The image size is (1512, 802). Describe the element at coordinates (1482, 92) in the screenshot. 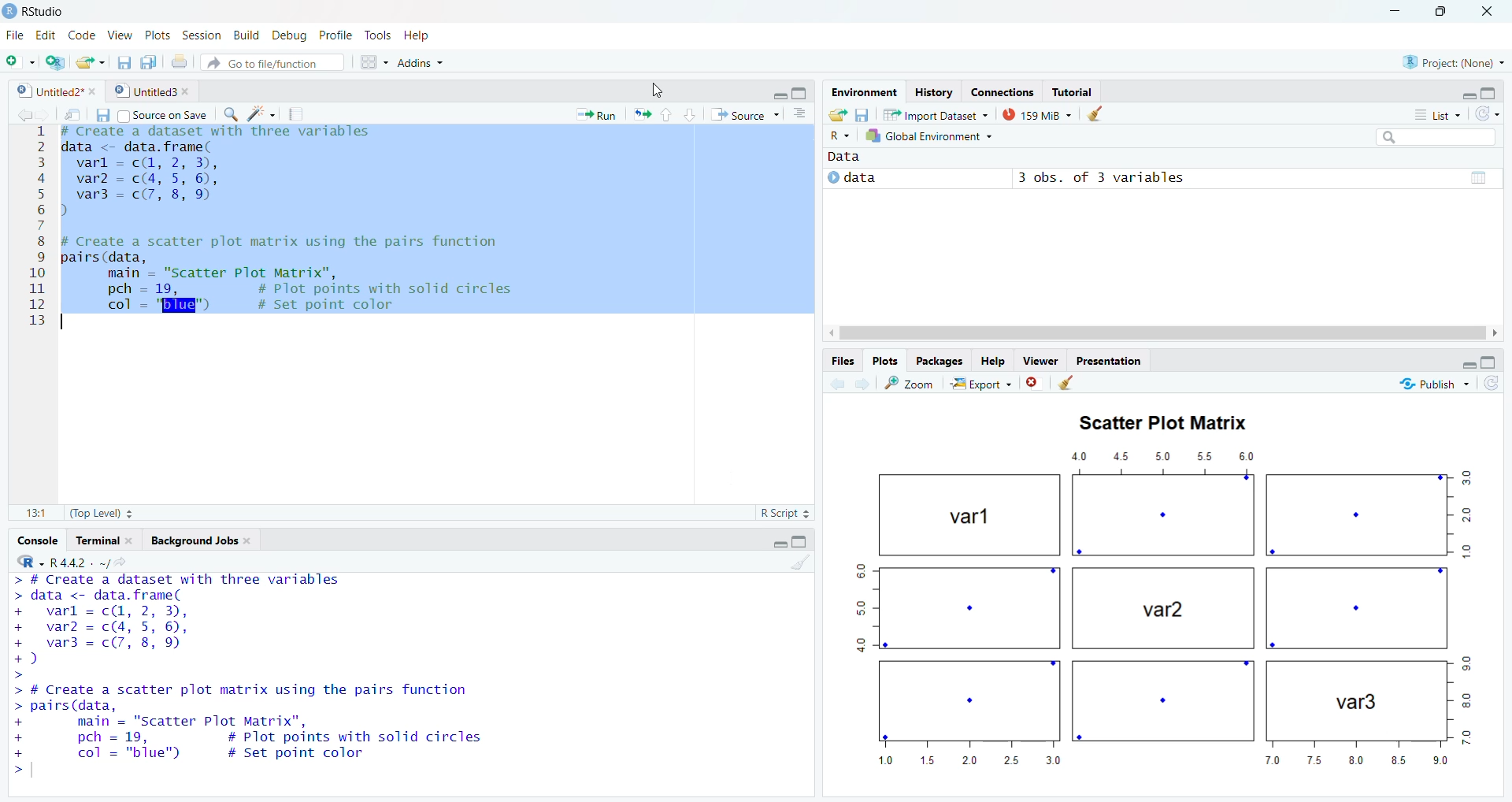

I see `minimize/maximize` at that location.